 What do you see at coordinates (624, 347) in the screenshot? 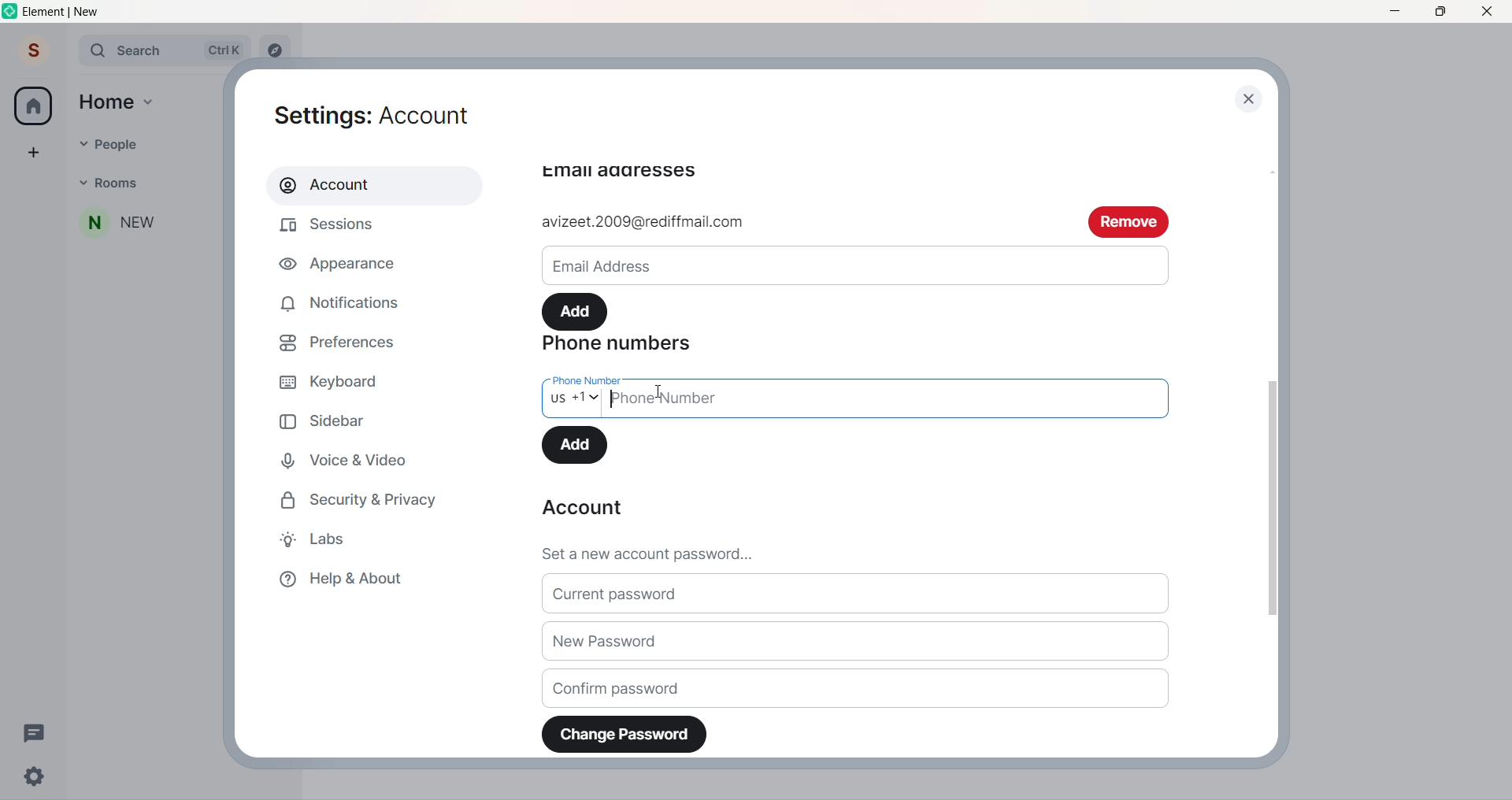
I see `Phone Numbers` at bounding box center [624, 347].